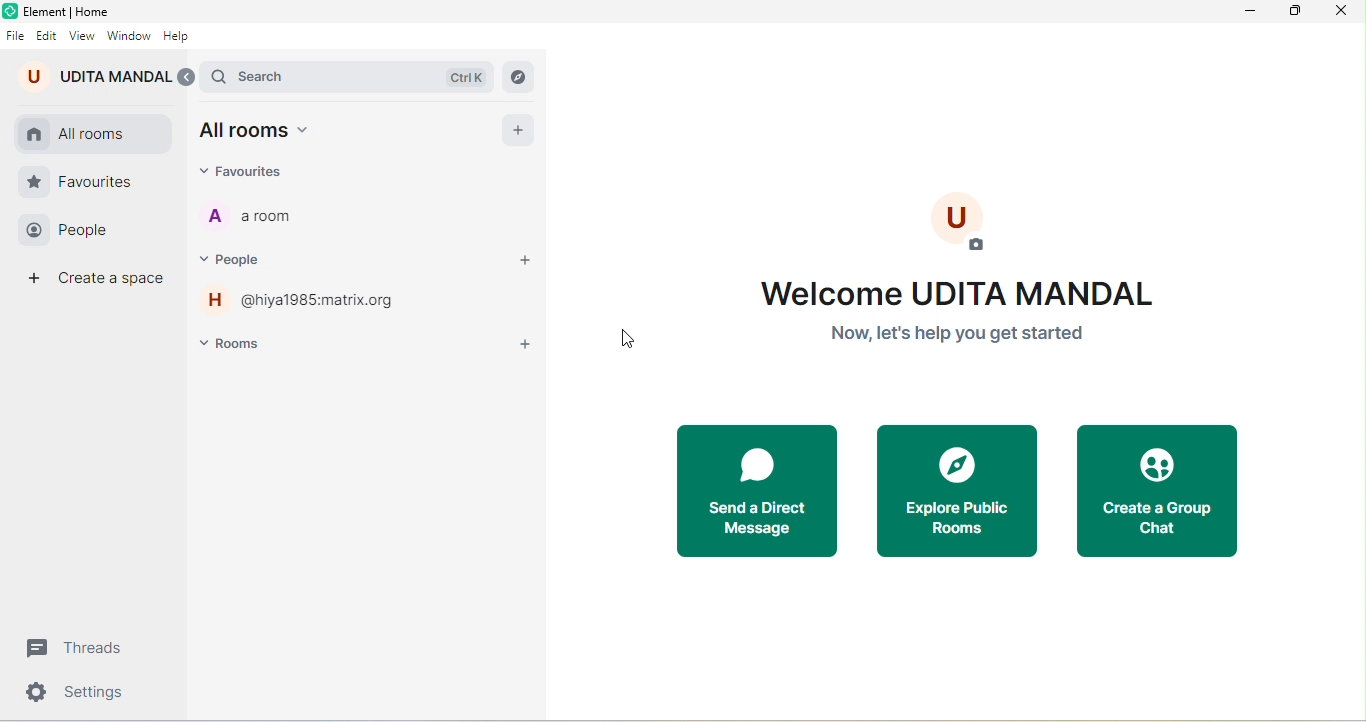  What do you see at coordinates (10, 11) in the screenshot?
I see `logo` at bounding box center [10, 11].